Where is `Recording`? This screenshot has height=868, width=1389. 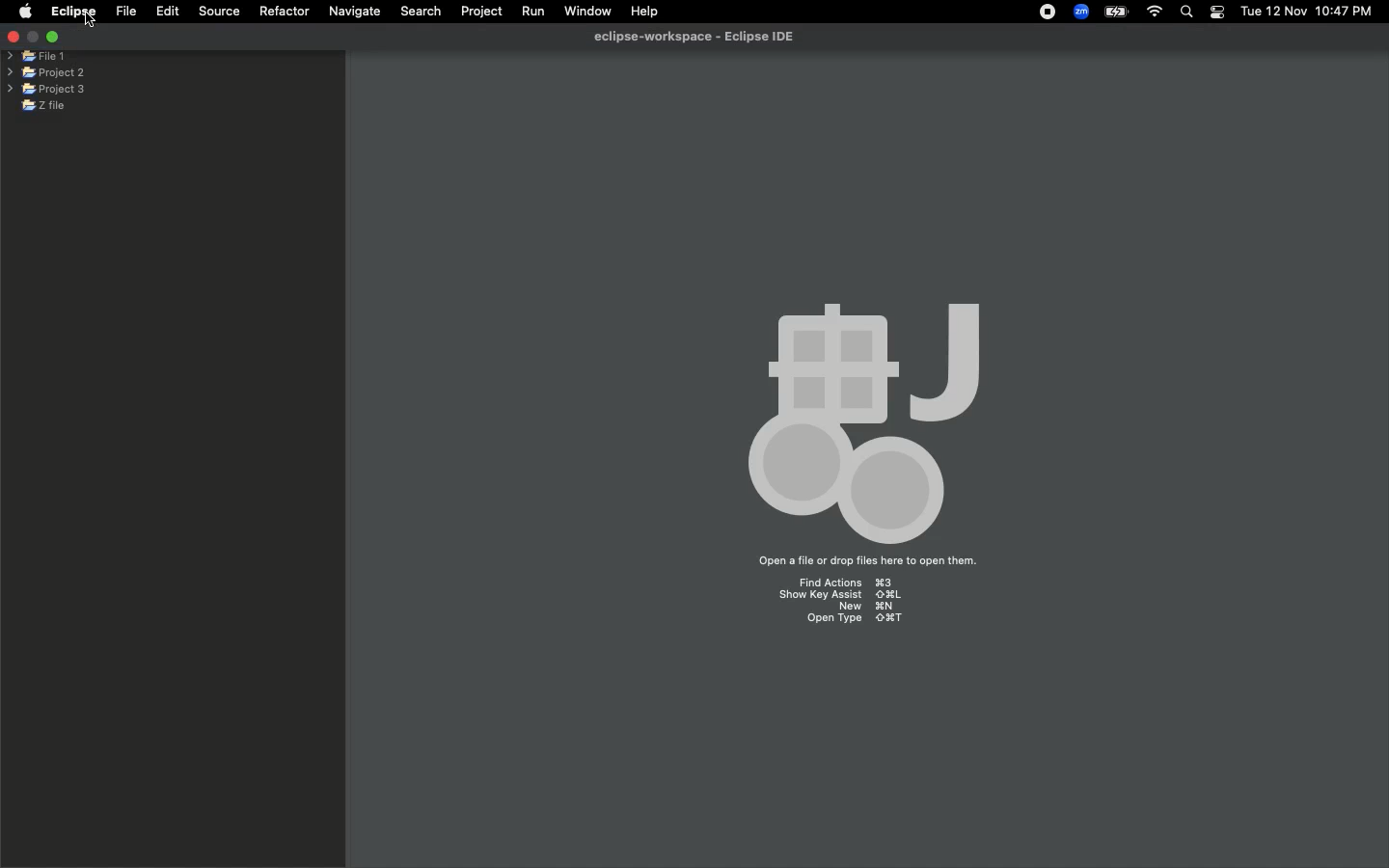
Recording is located at coordinates (1049, 14).